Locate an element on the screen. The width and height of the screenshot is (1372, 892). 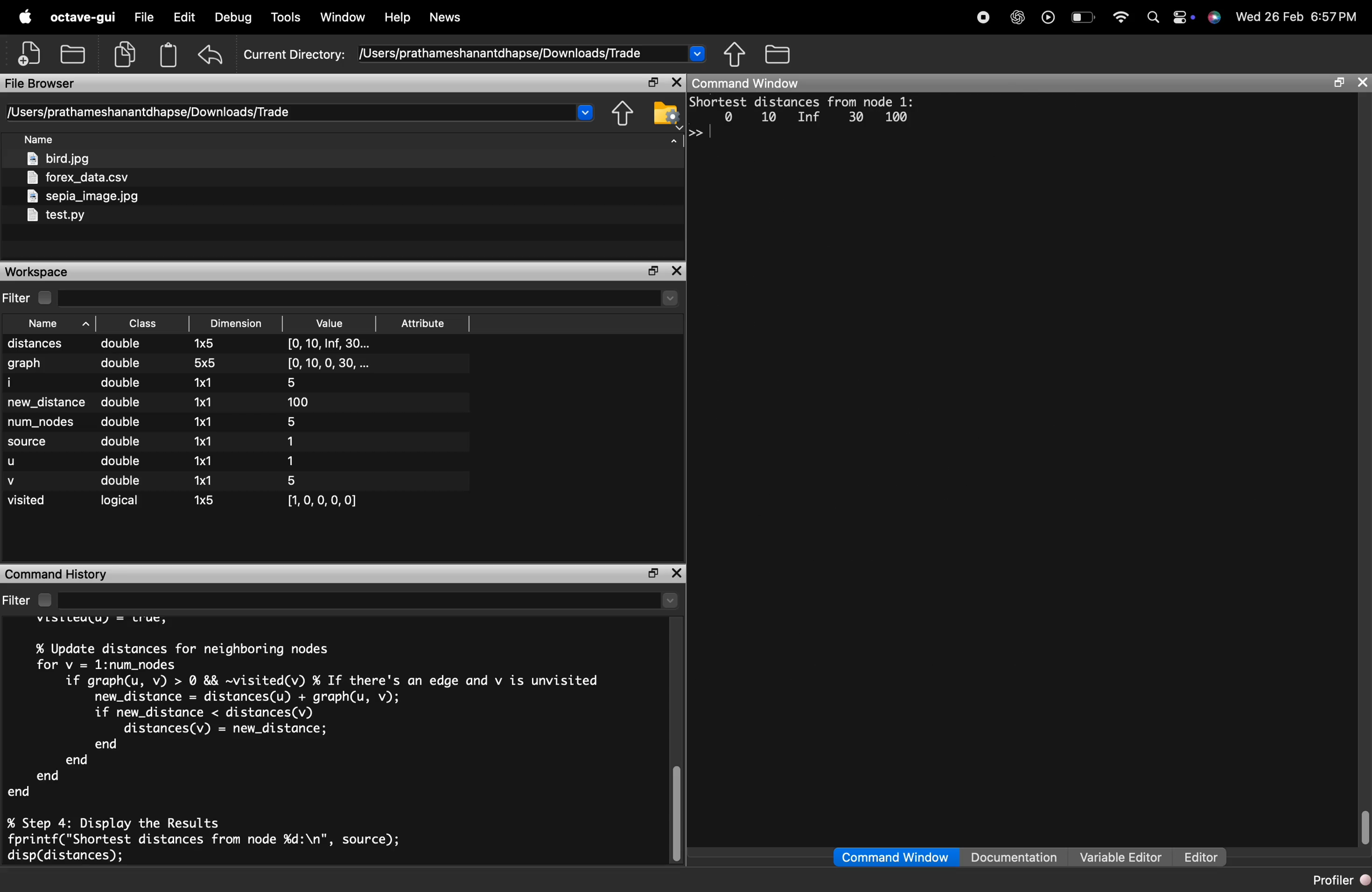
time and date is located at coordinates (1300, 17).